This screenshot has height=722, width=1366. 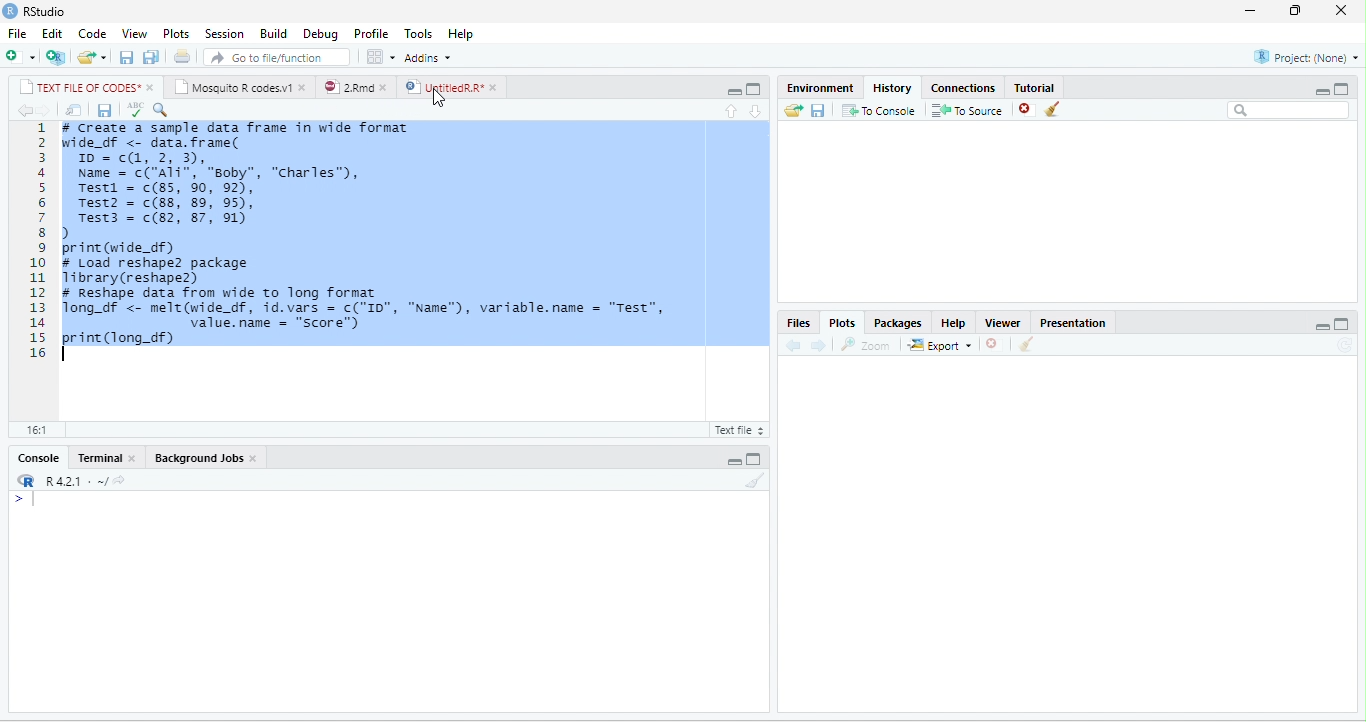 What do you see at coordinates (38, 239) in the screenshot?
I see `line numbering` at bounding box center [38, 239].